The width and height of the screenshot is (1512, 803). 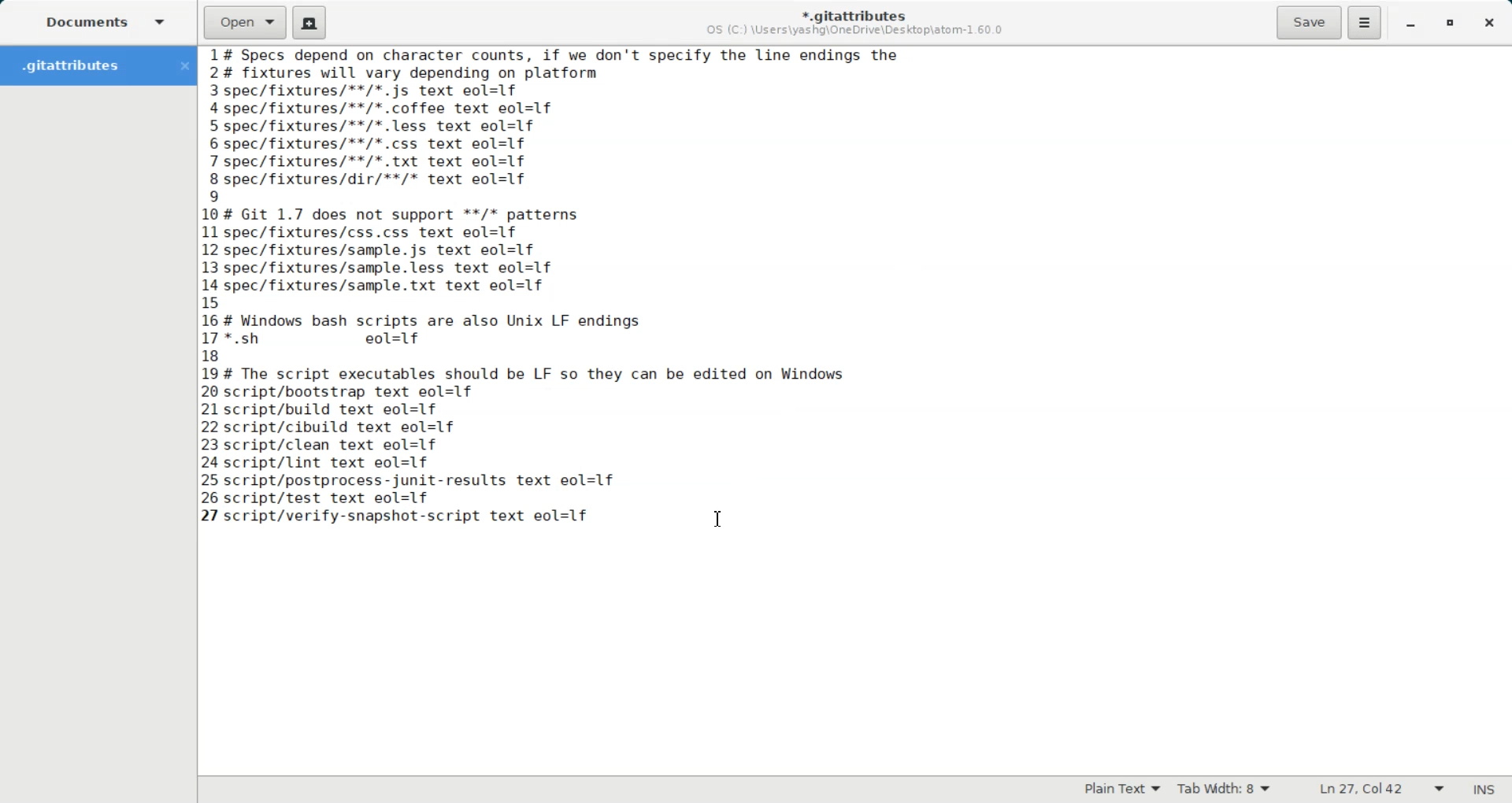 I want to click on Save, so click(x=1308, y=23).